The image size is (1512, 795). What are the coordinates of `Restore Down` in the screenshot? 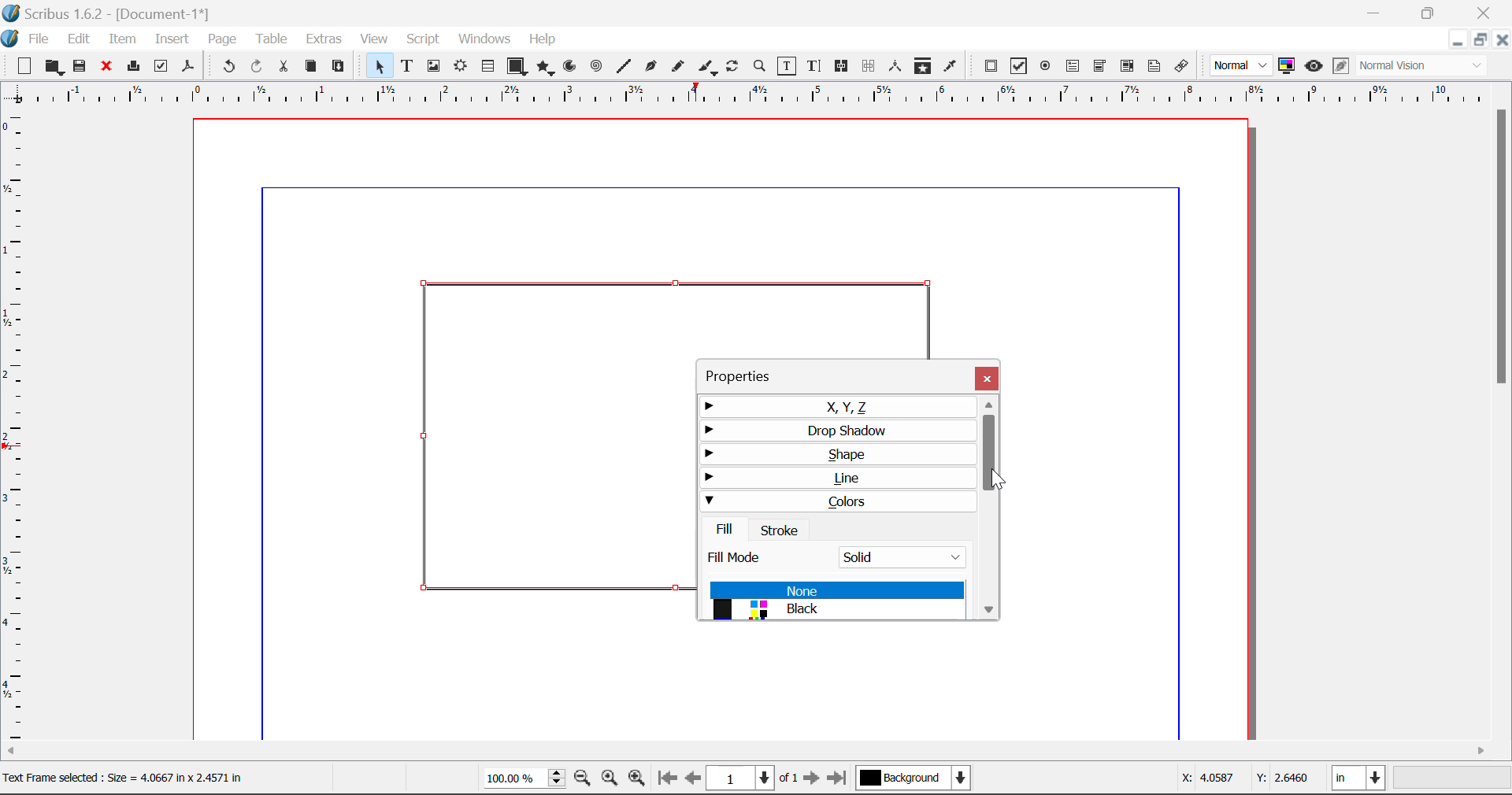 It's located at (1377, 13).